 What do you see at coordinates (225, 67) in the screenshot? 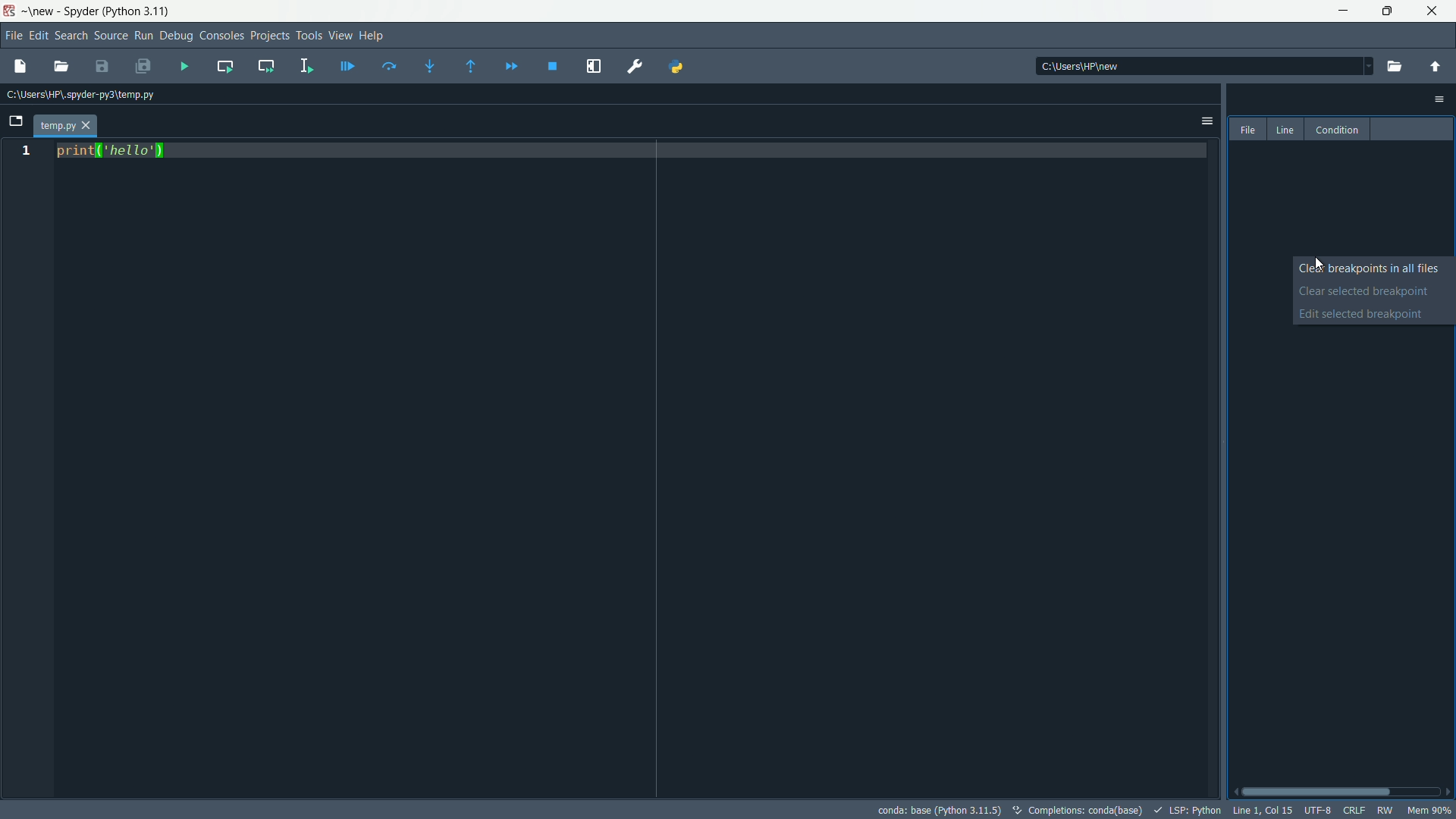
I see `run current cell` at bounding box center [225, 67].